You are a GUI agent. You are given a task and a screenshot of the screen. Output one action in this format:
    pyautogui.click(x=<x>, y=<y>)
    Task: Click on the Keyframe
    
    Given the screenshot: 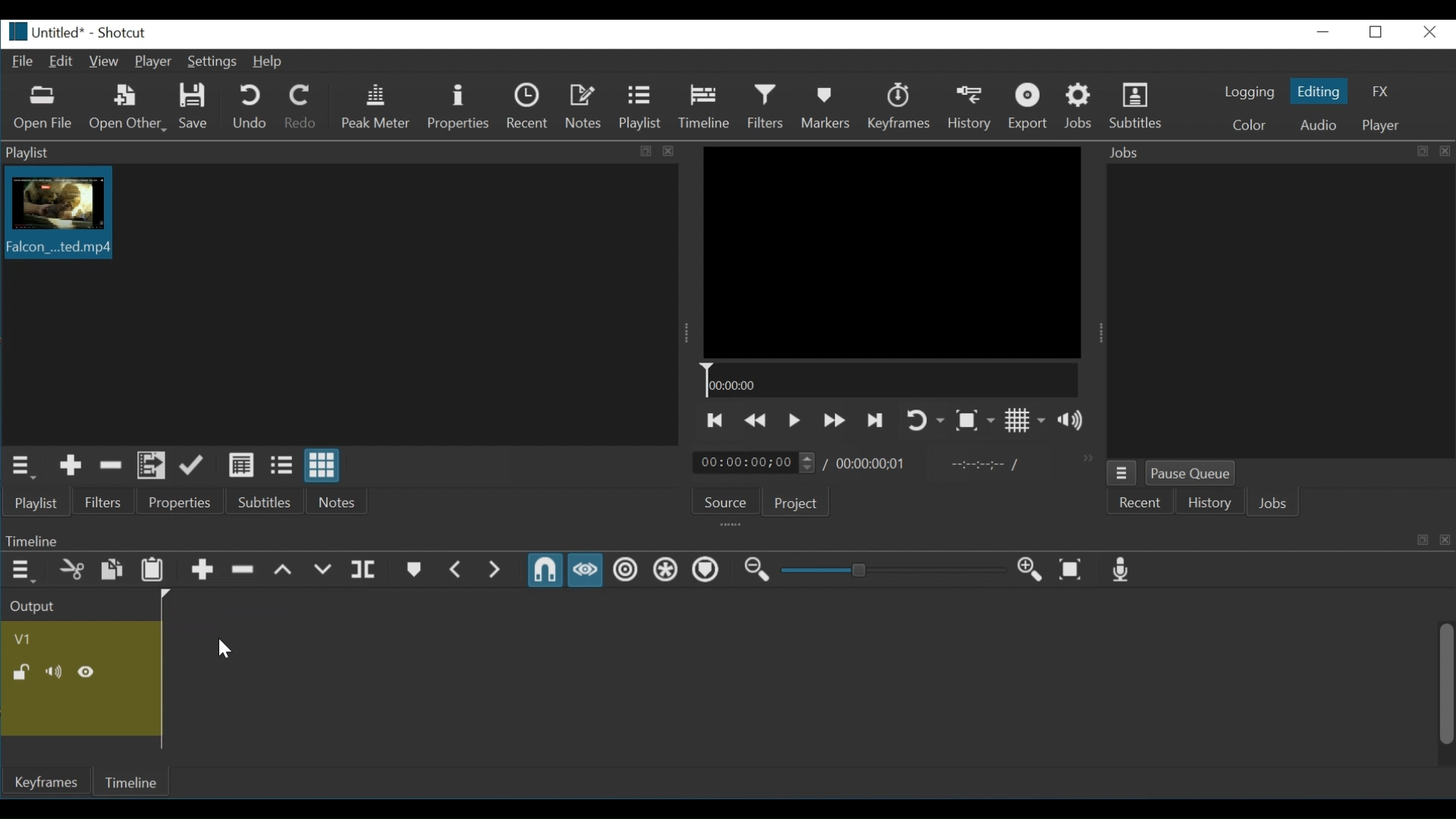 What is the action you would take?
    pyautogui.click(x=49, y=783)
    